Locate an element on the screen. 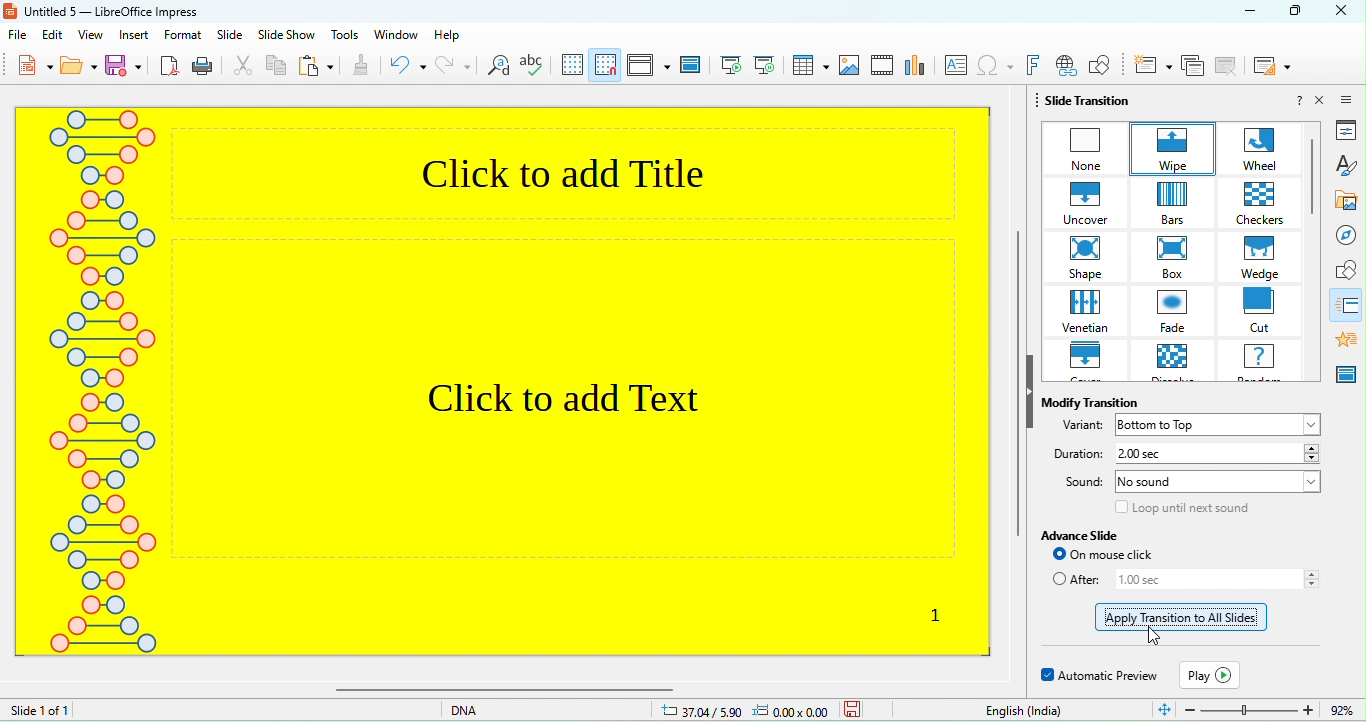 This screenshot has height=722, width=1366. on mouse click is located at coordinates (1133, 557).